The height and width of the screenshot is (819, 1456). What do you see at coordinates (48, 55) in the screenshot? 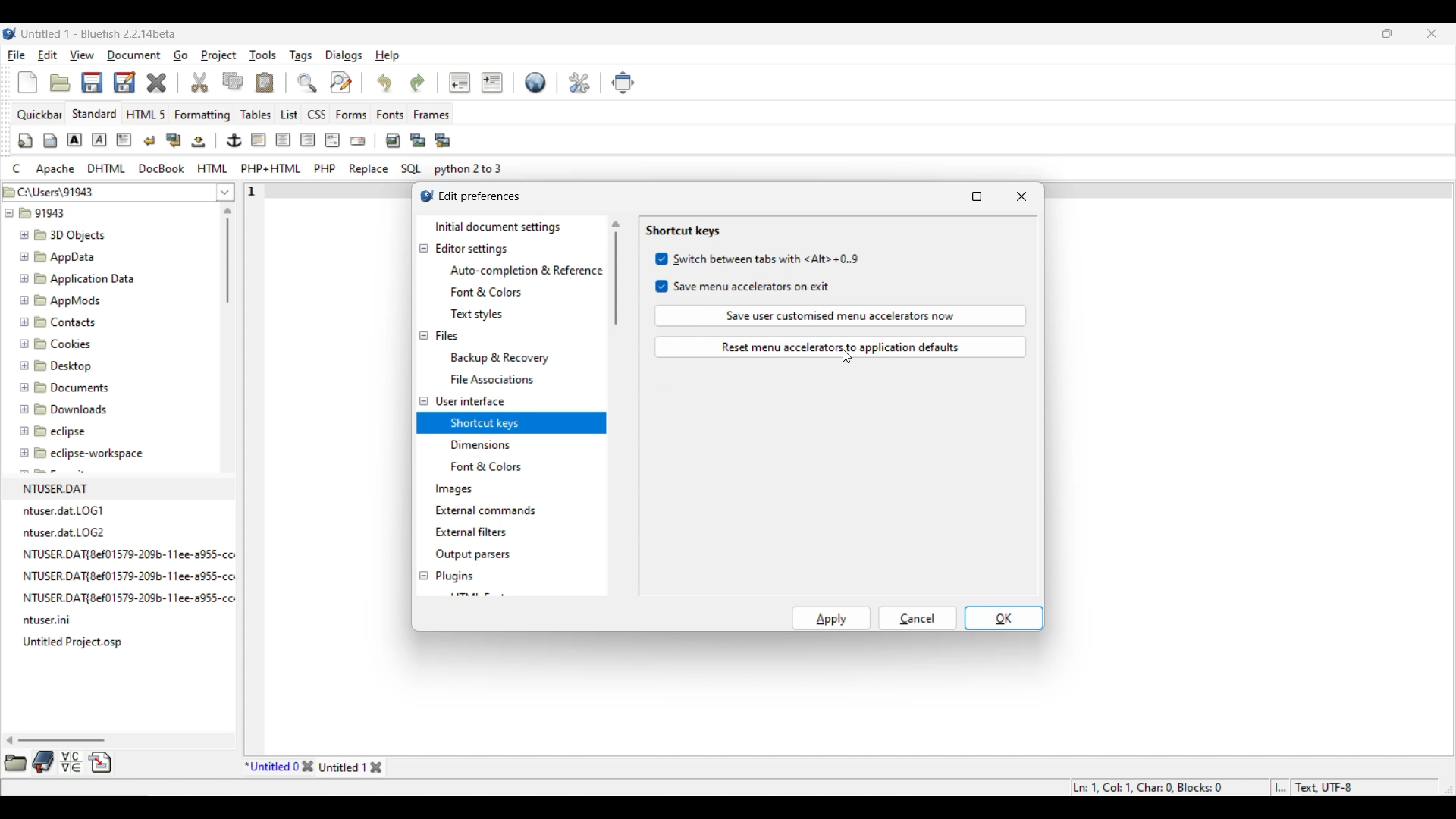
I see `Edit menu` at bounding box center [48, 55].